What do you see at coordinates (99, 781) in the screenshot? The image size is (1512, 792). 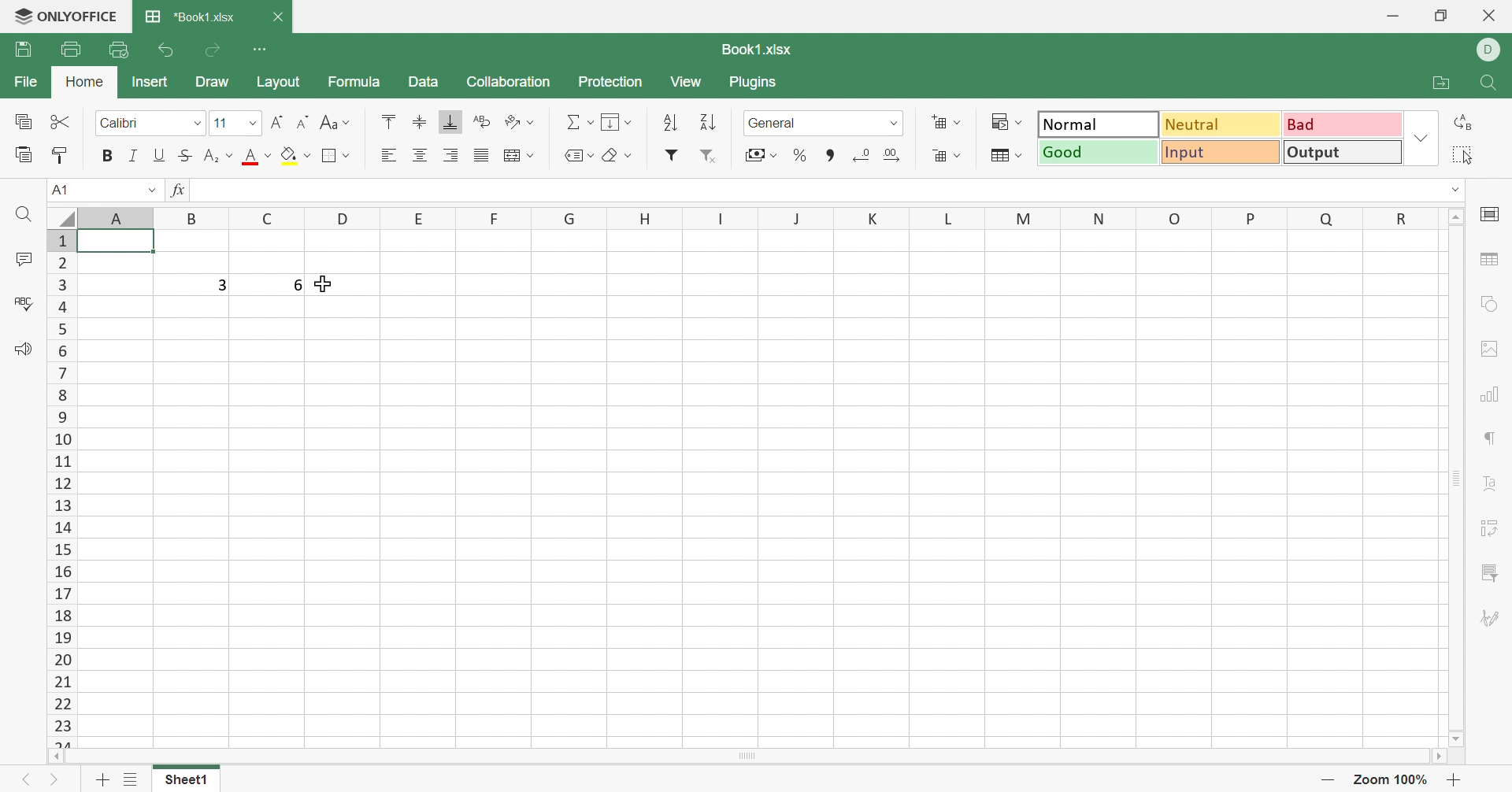 I see `Add sheet` at bounding box center [99, 781].